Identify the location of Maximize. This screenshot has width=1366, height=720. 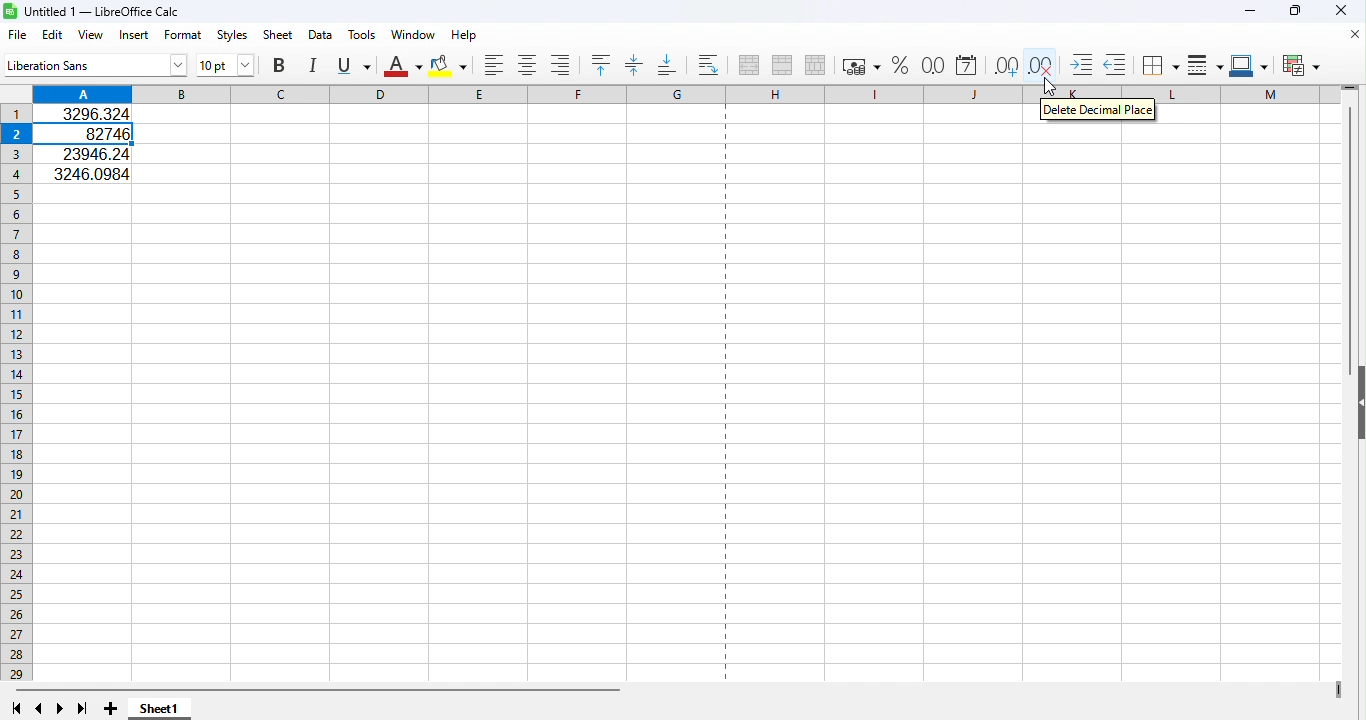
(1294, 11).